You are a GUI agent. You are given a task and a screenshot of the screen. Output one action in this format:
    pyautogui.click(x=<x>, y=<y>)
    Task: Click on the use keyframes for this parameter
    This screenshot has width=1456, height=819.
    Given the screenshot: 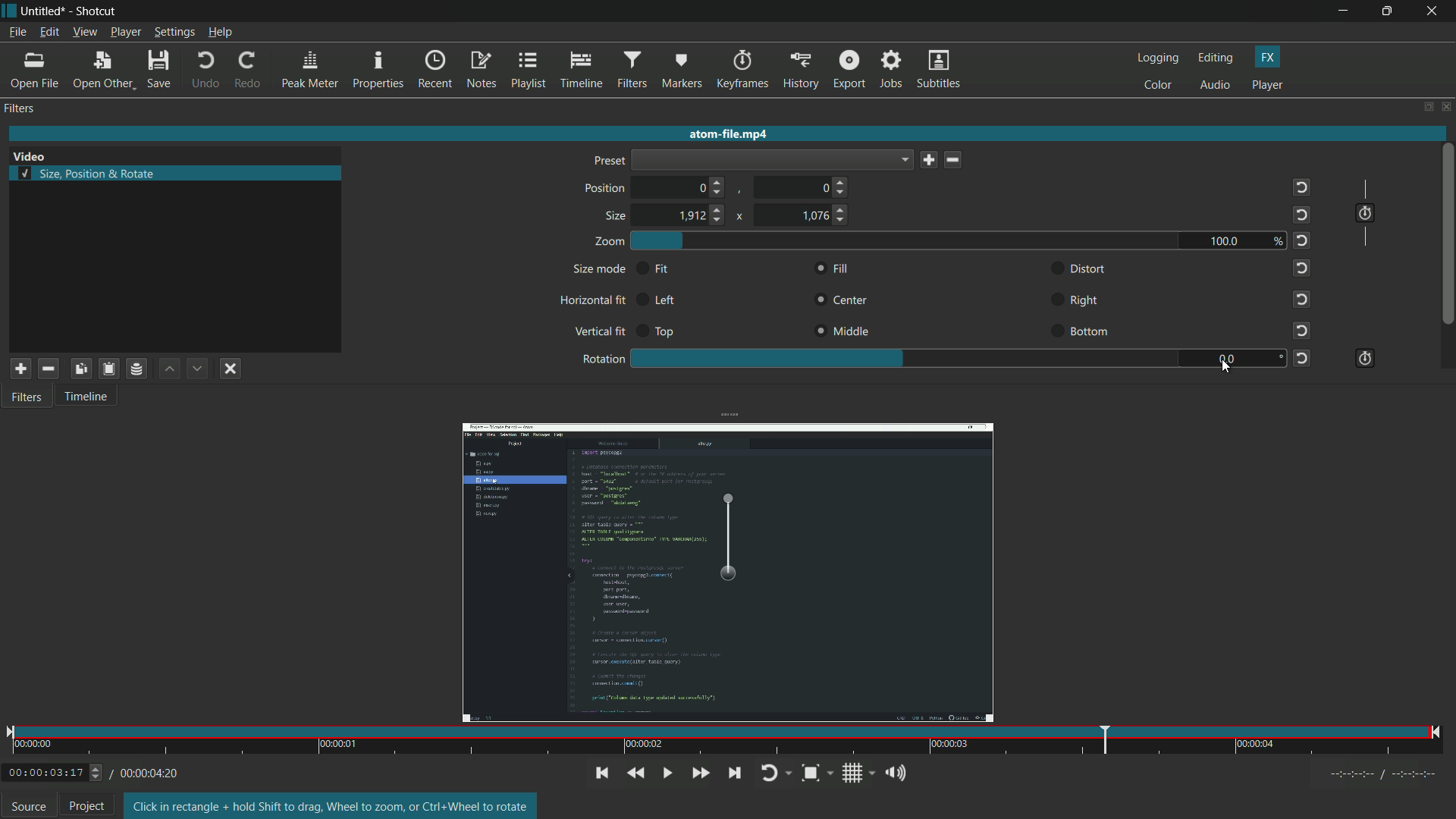 What is the action you would take?
    pyautogui.click(x=1363, y=359)
    